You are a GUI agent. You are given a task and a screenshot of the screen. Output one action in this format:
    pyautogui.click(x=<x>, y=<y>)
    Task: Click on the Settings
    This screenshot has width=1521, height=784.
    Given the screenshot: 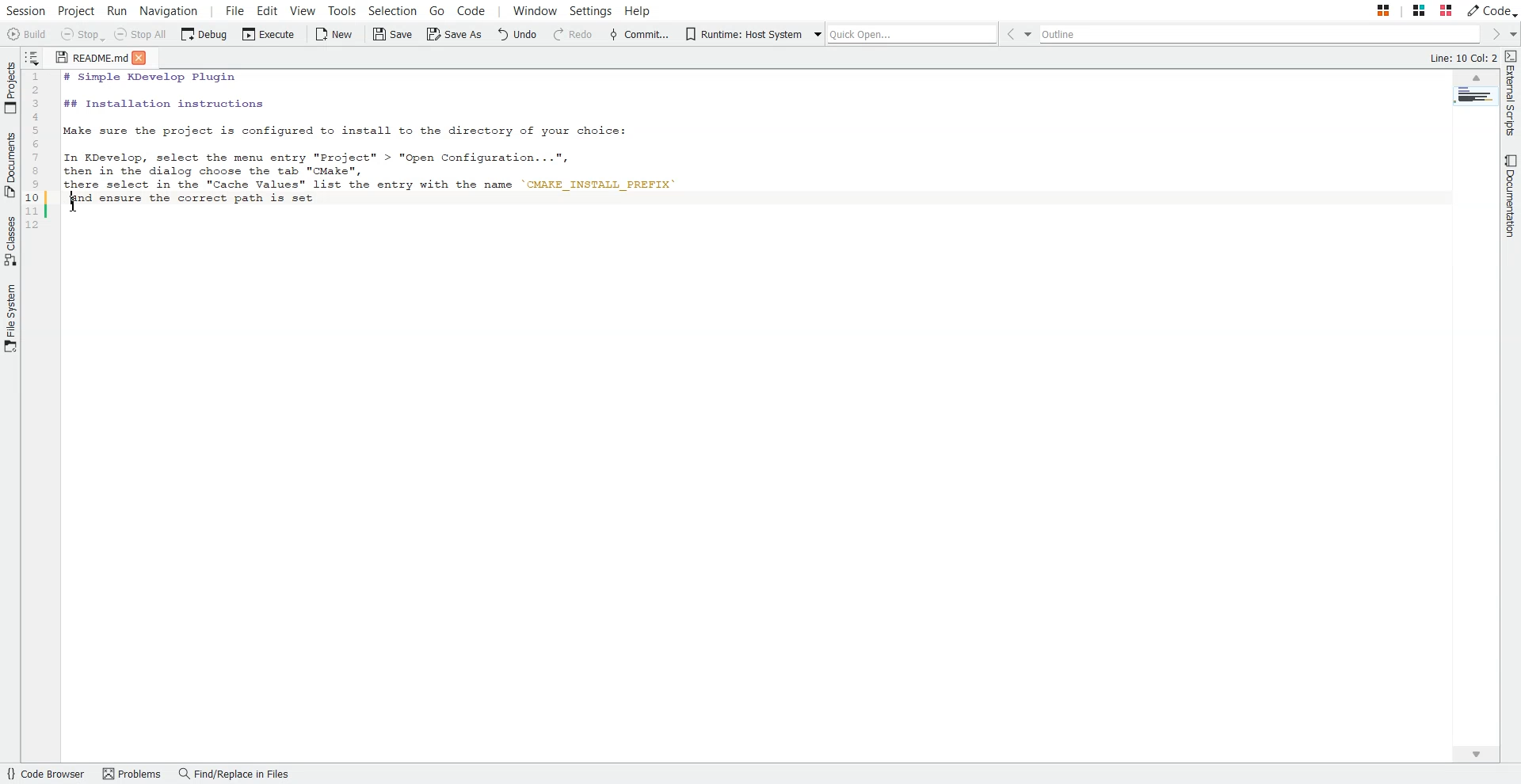 What is the action you would take?
    pyautogui.click(x=592, y=10)
    